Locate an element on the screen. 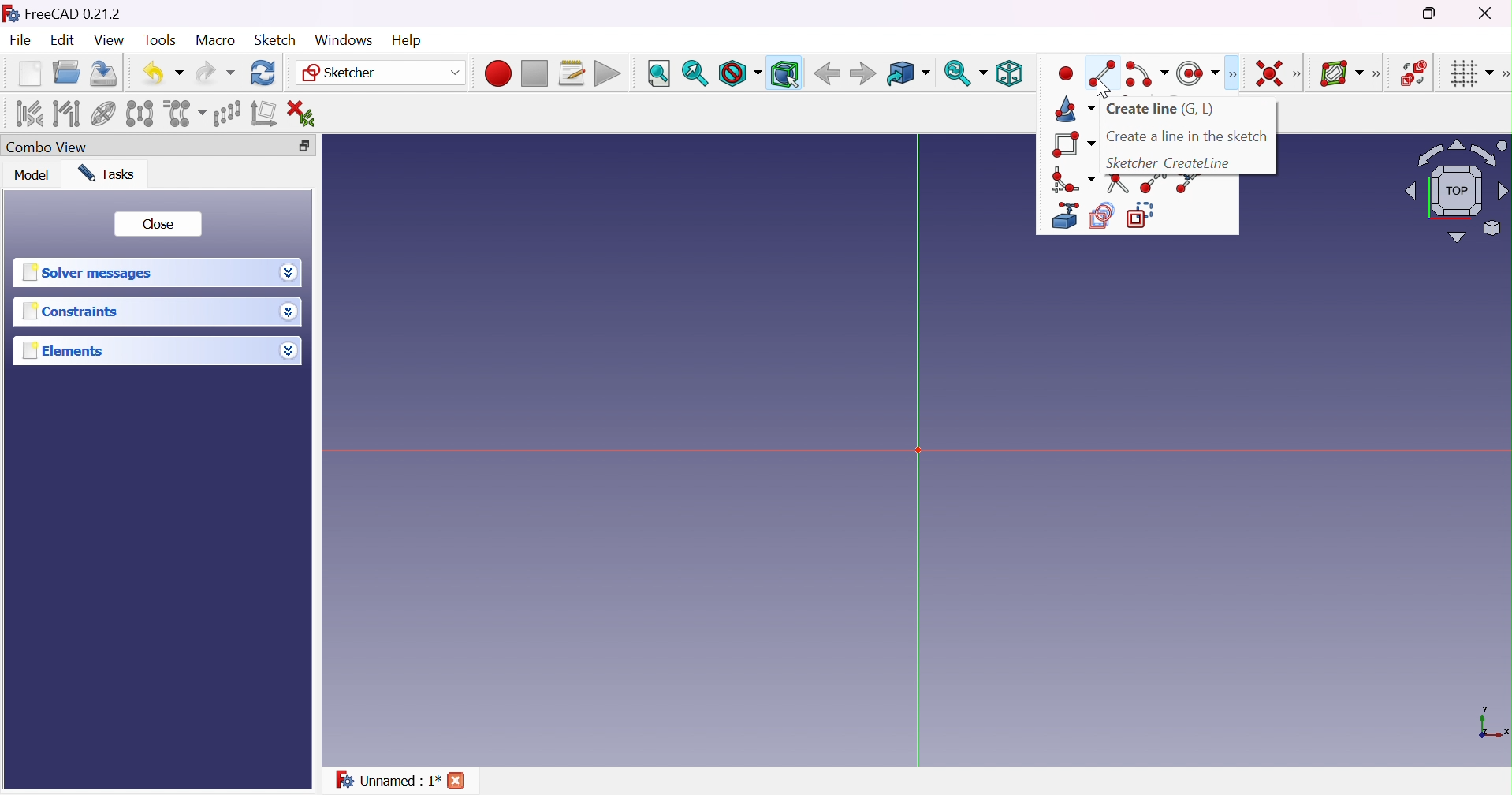 This screenshot has height=795, width=1512. View is located at coordinates (109, 40).